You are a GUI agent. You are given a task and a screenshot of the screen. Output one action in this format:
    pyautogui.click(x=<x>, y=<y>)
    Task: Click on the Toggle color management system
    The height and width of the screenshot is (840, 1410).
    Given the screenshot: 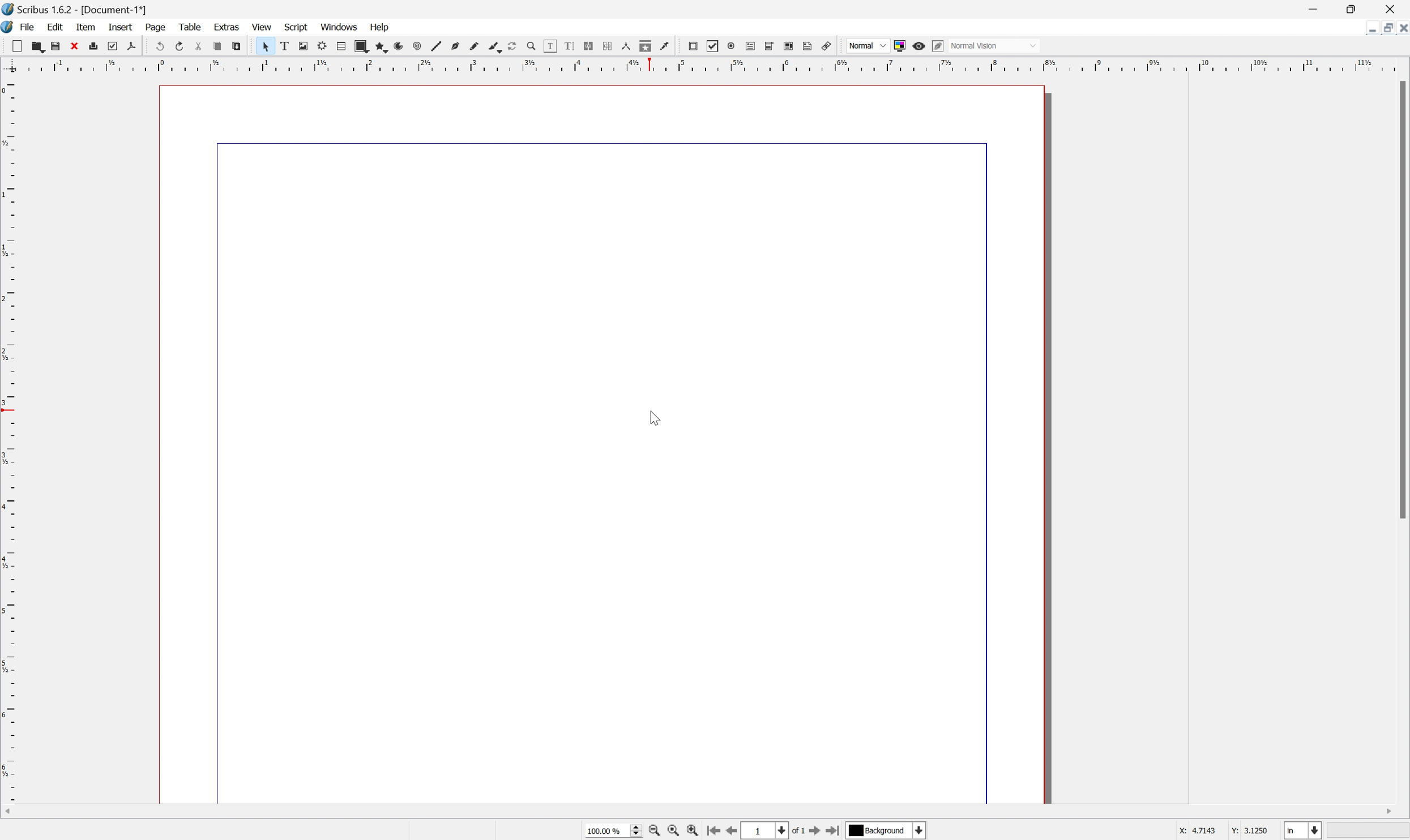 What is the action you would take?
    pyautogui.click(x=901, y=45)
    